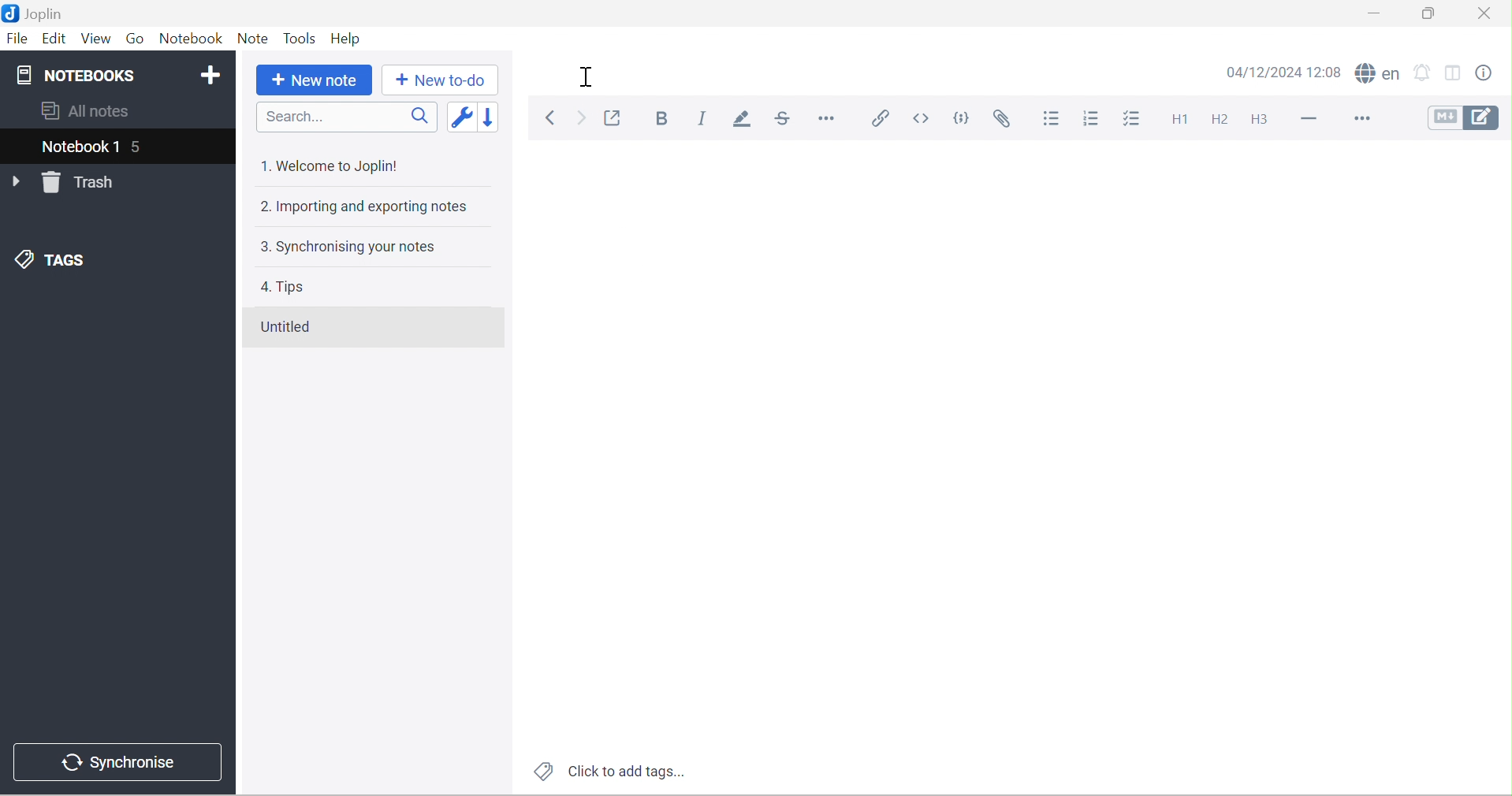  Describe the element at coordinates (1052, 121) in the screenshot. I see `Bulleted list` at that location.